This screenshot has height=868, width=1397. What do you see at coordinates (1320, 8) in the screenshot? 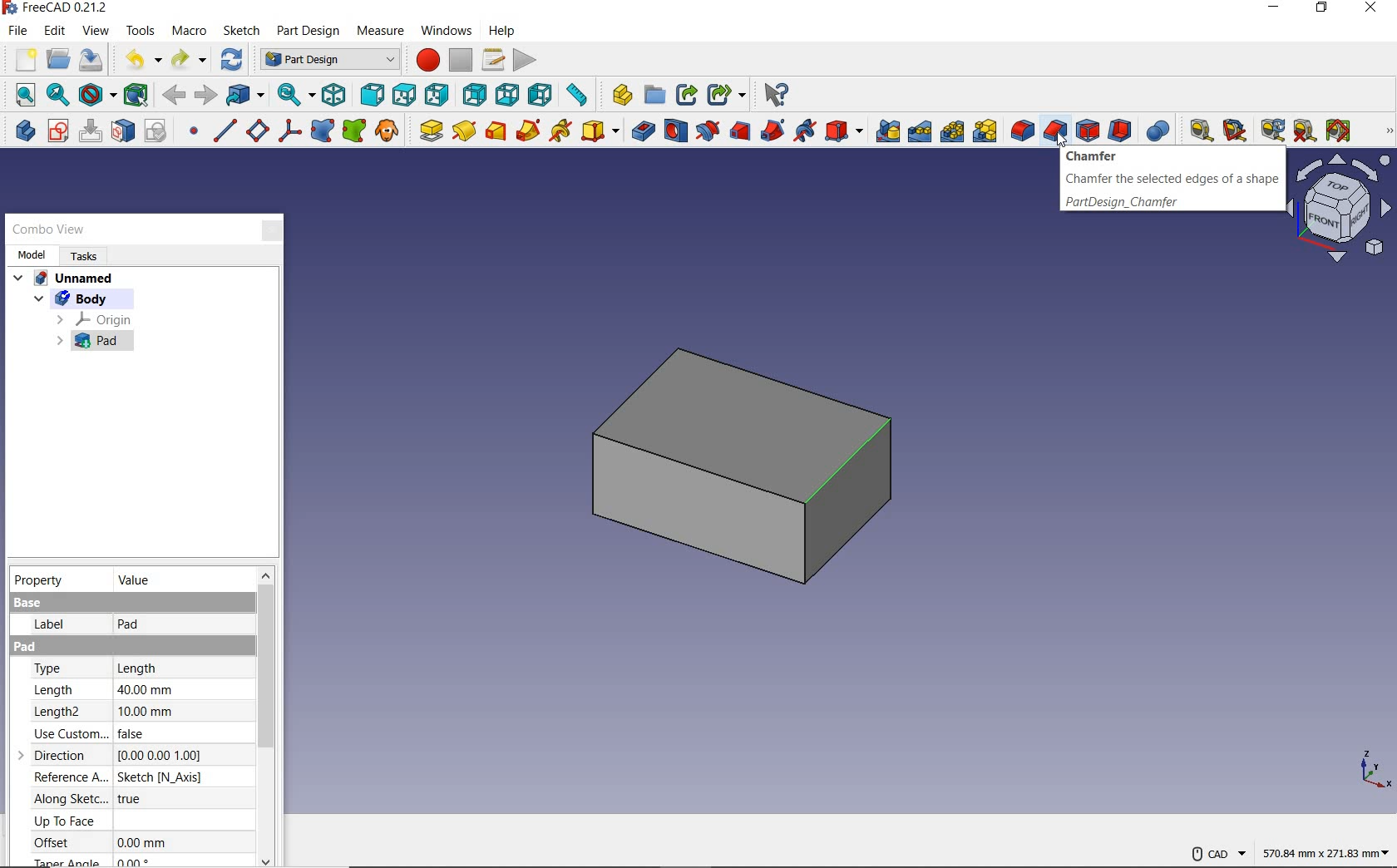
I see `restore down` at bounding box center [1320, 8].